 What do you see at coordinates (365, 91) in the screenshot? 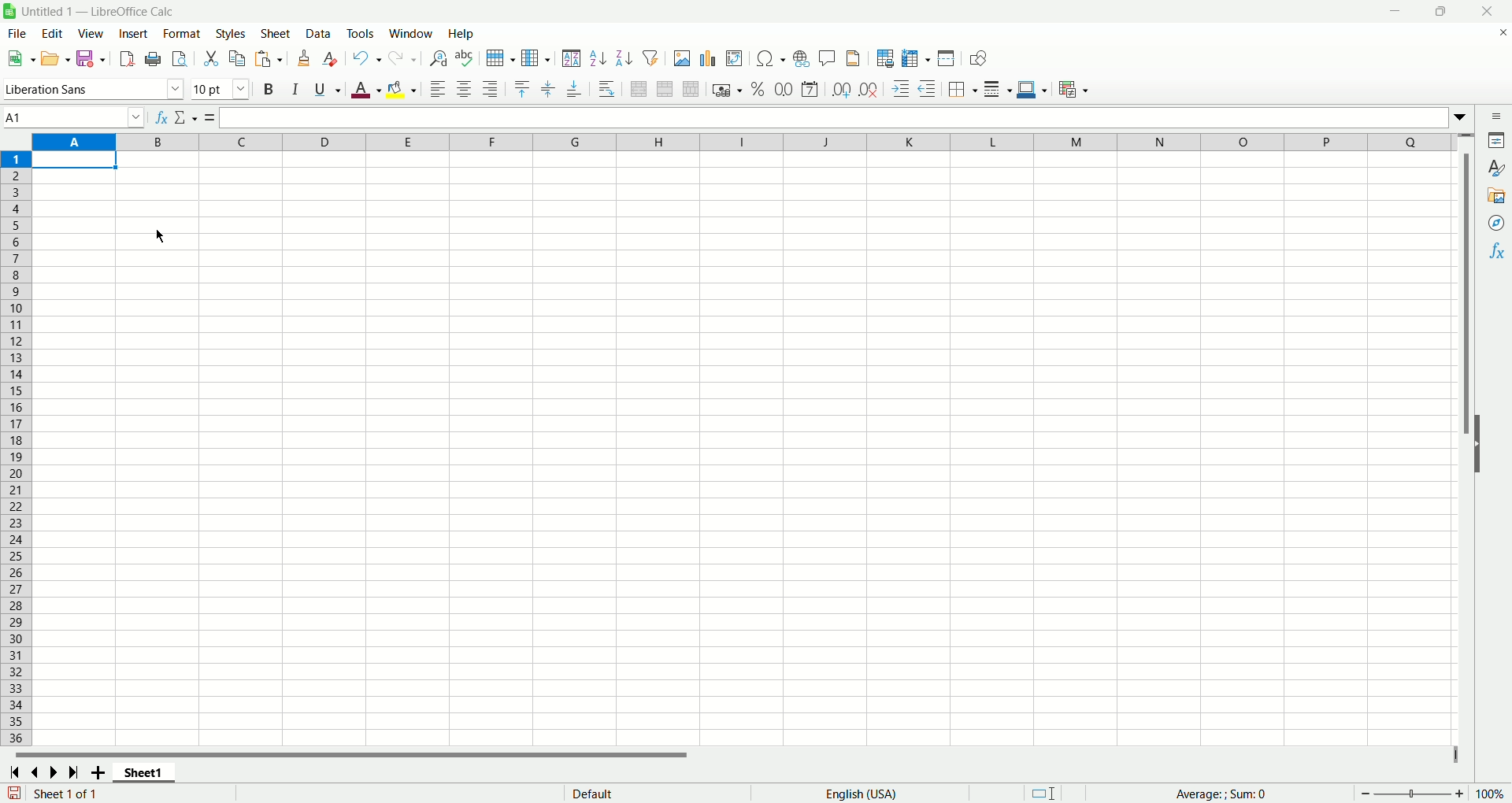
I see `font color` at bounding box center [365, 91].